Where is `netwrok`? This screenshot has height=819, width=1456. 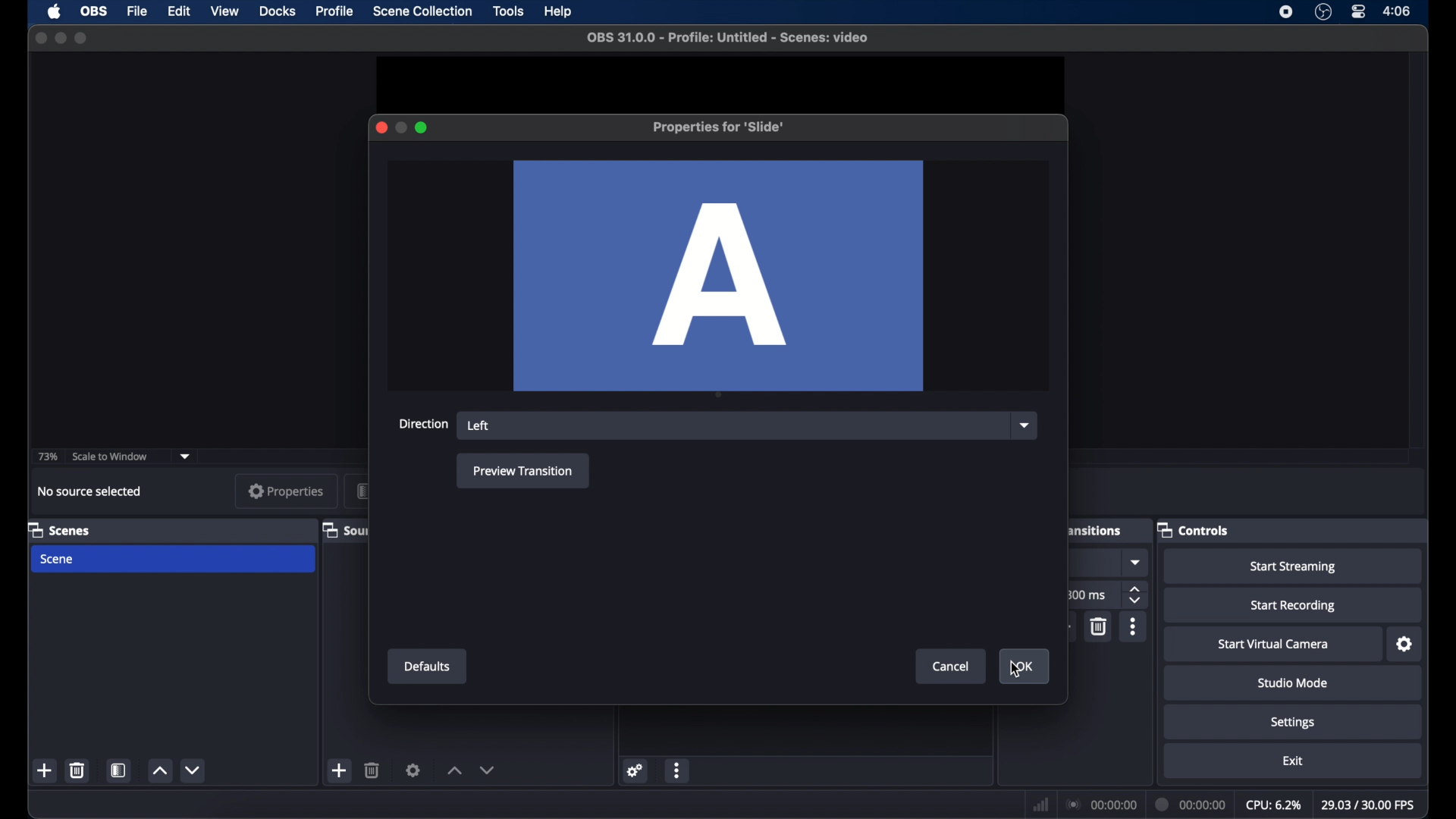
netwrok is located at coordinates (1039, 803).